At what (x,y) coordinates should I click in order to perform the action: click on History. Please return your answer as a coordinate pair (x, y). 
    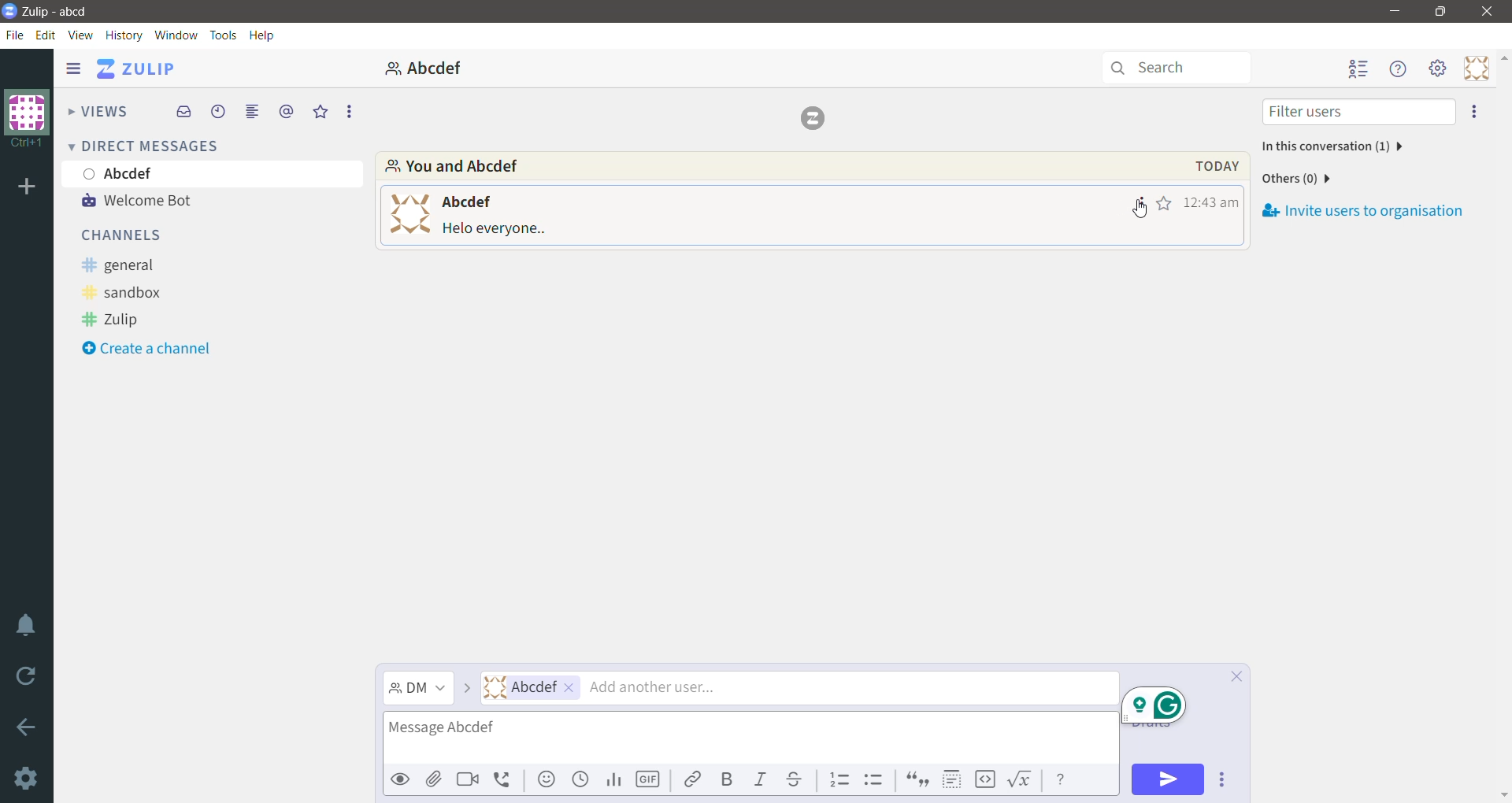
    Looking at the image, I should click on (124, 35).